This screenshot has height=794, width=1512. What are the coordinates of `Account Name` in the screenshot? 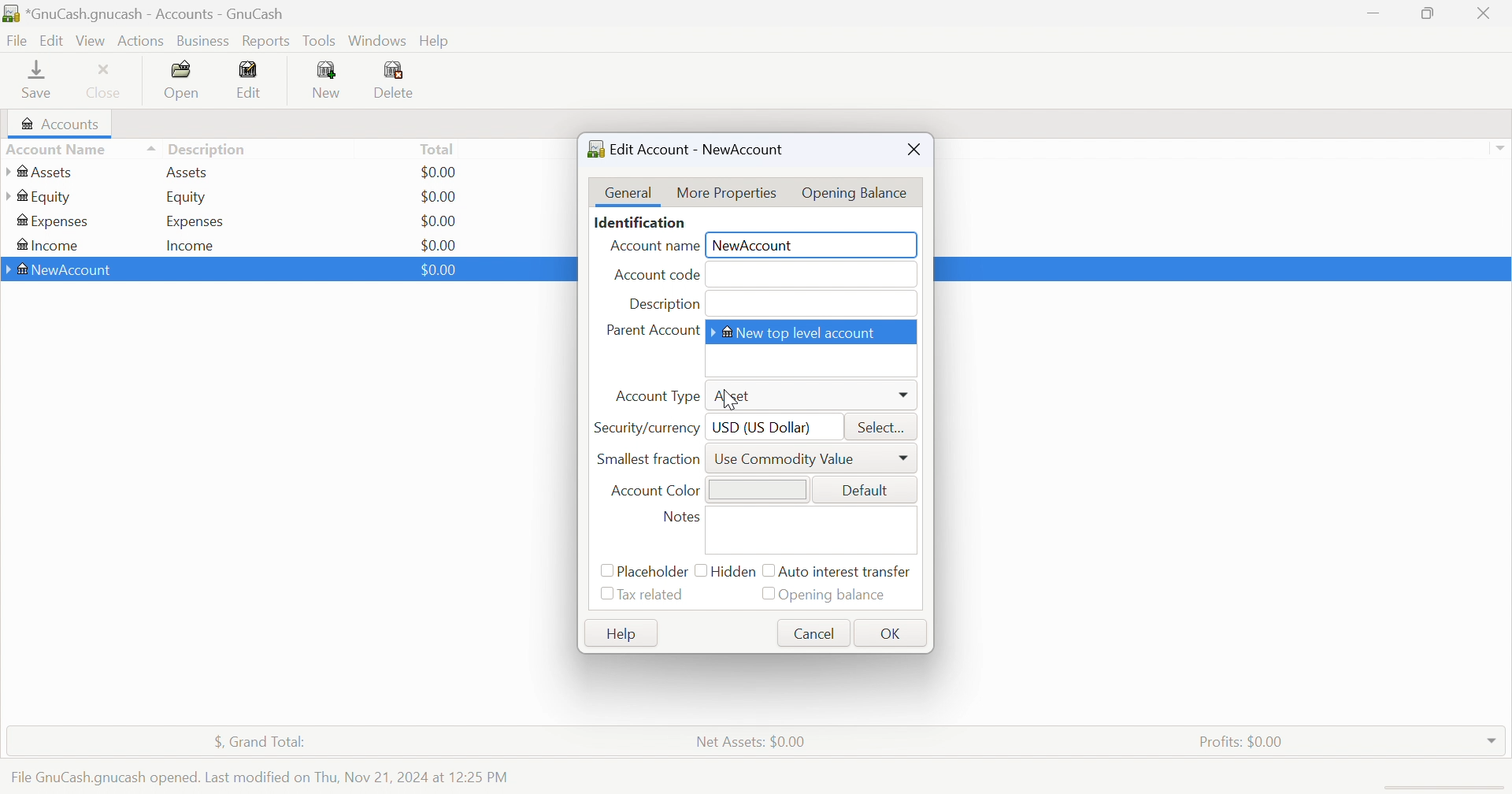 It's located at (654, 248).